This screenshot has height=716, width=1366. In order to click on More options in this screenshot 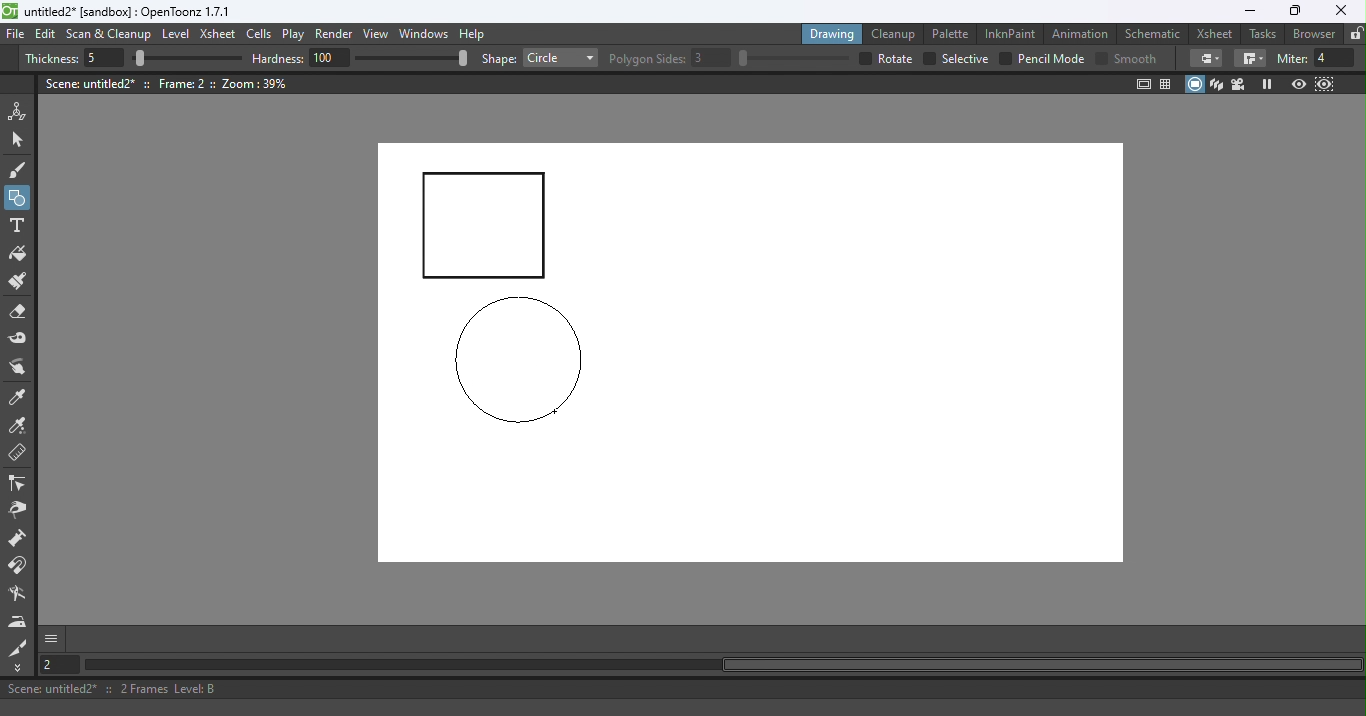, I will do `click(51, 638)`.